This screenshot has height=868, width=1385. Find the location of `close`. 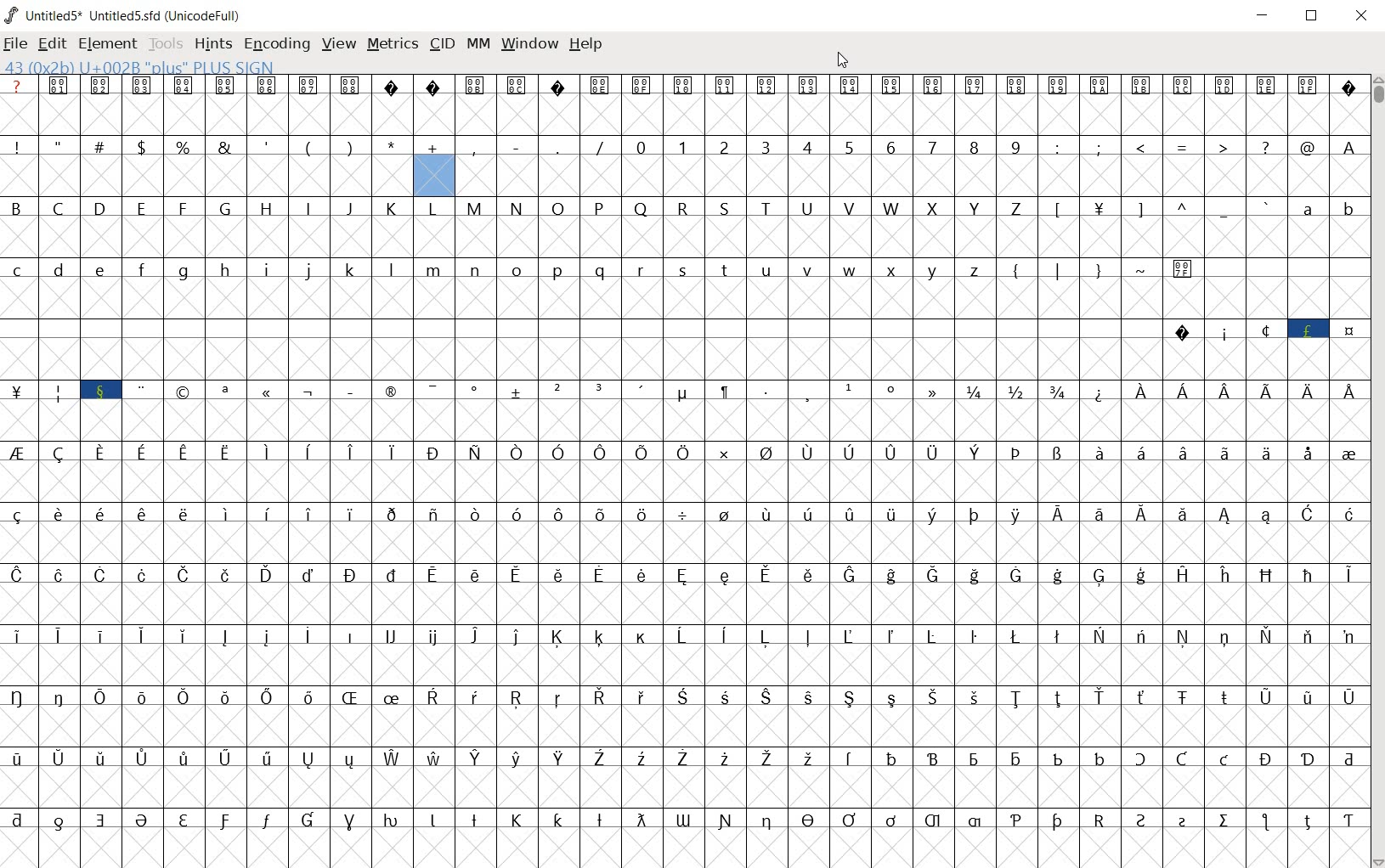

close is located at coordinates (1360, 17).